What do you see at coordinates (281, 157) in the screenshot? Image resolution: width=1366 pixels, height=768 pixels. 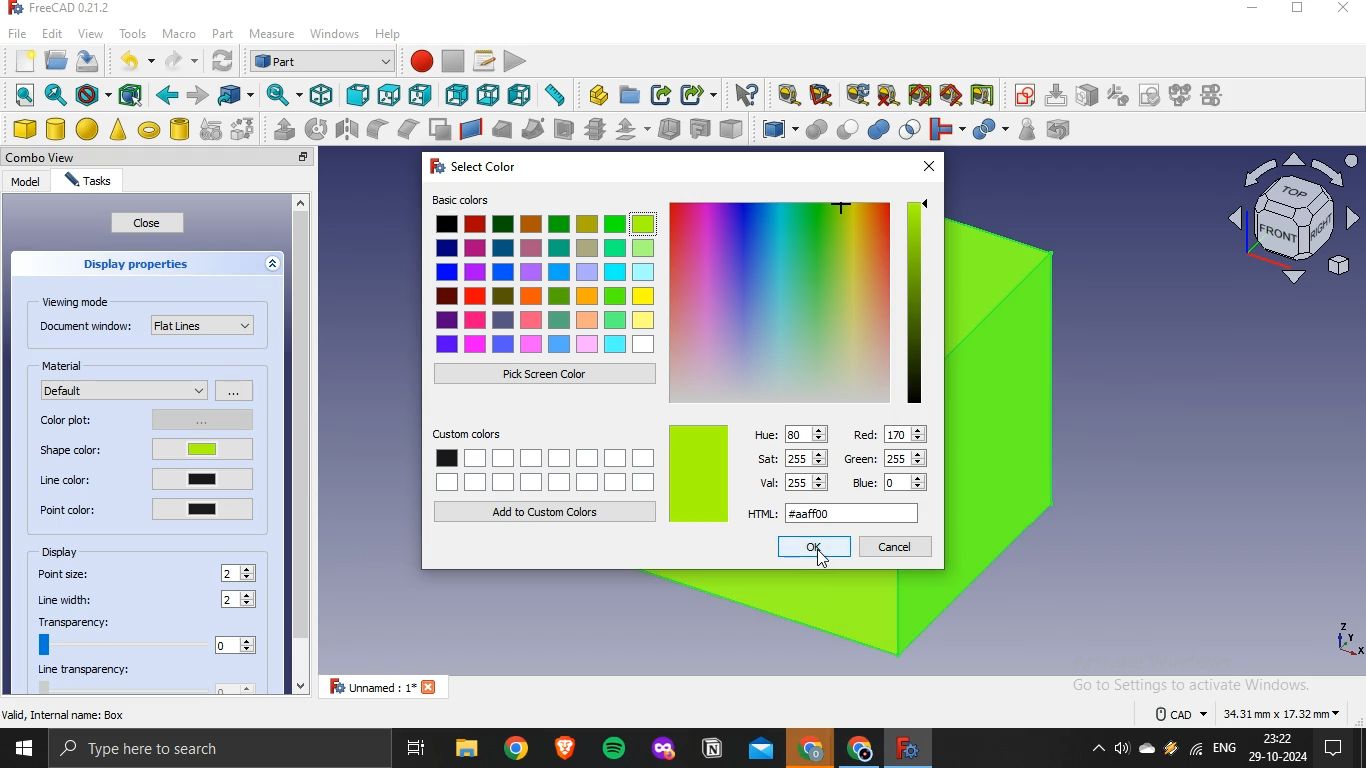 I see `restore tab` at bounding box center [281, 157].